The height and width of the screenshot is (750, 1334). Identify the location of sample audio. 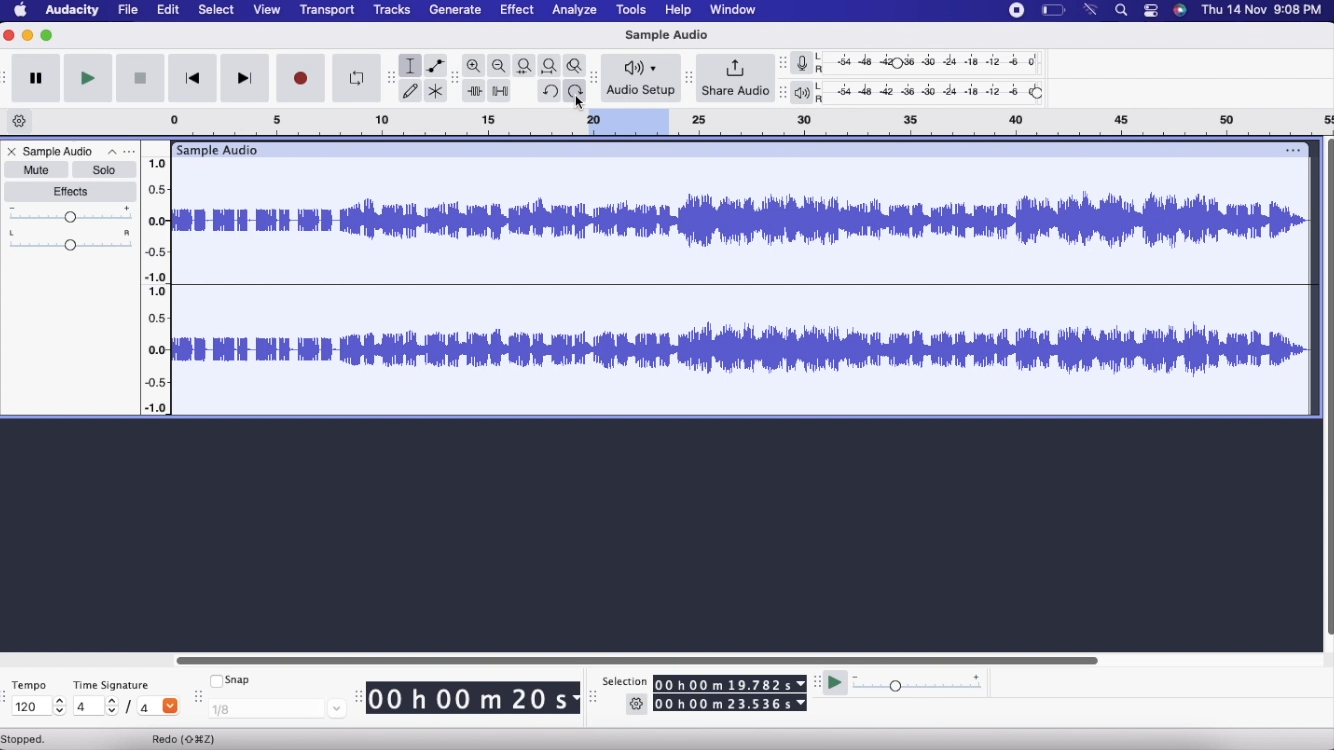
(216, 150).